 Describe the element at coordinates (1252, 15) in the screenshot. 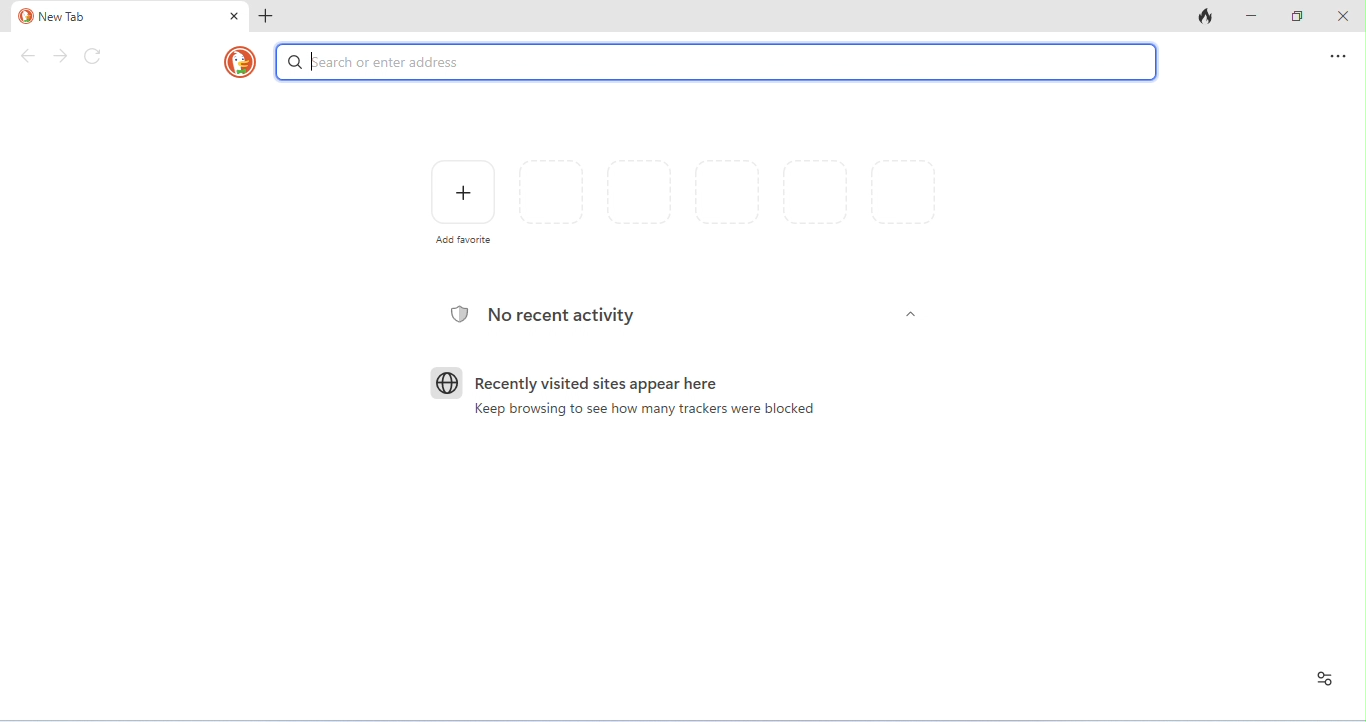

I see `minimize` at that location.